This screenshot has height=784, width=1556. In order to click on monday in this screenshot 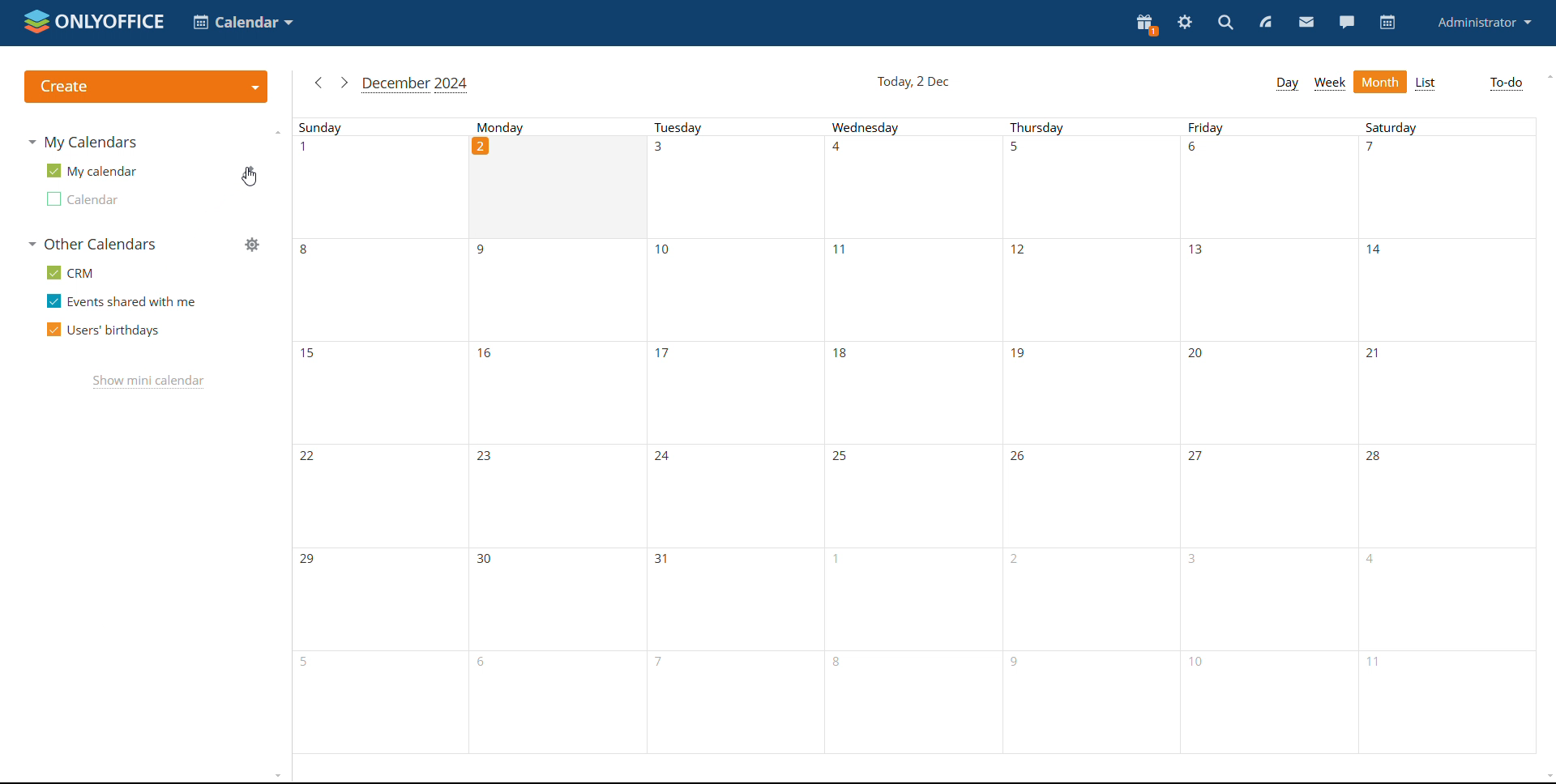, I will do `click(543, 127)`.